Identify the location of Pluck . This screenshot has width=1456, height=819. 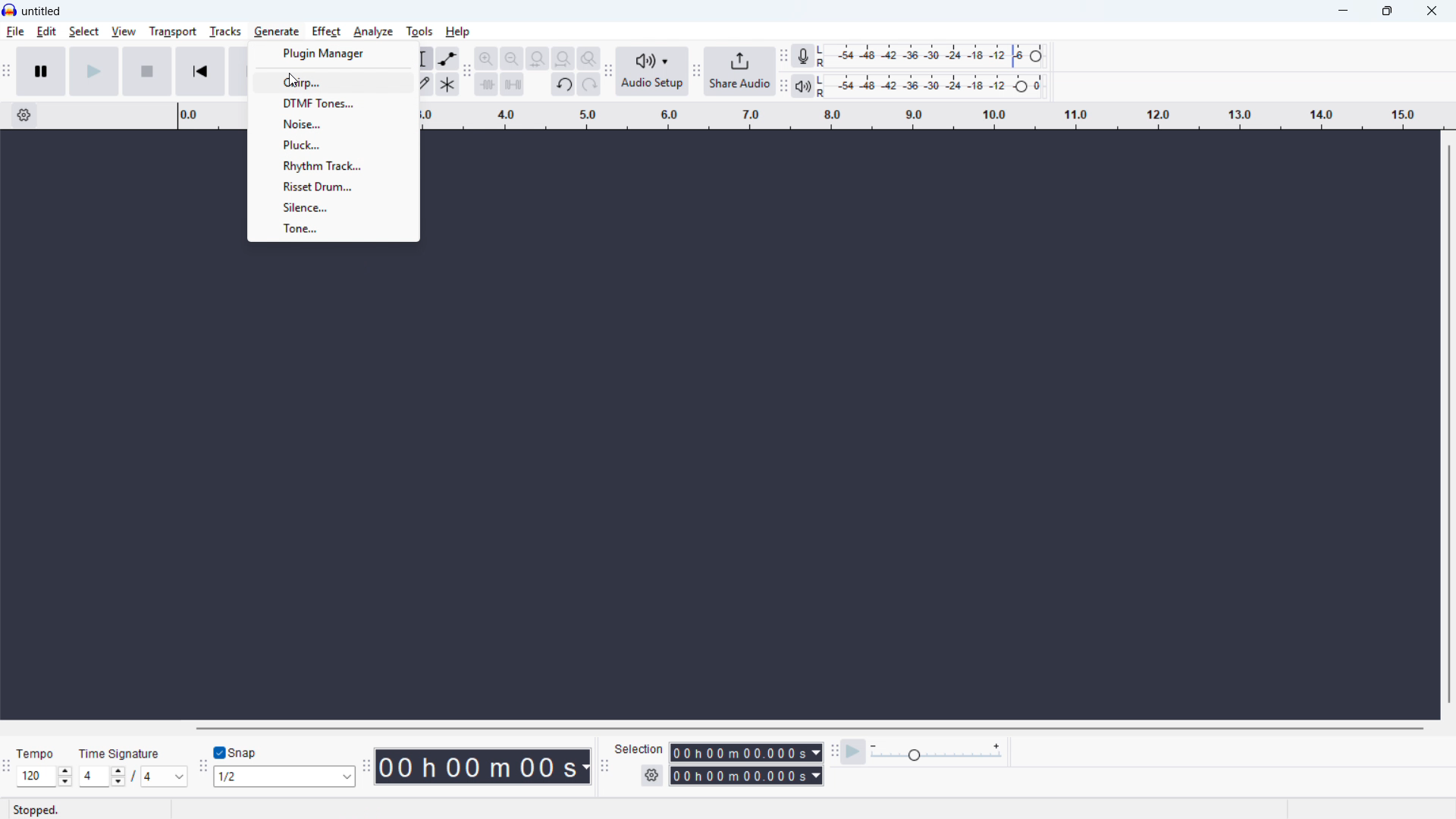
(334, 144).